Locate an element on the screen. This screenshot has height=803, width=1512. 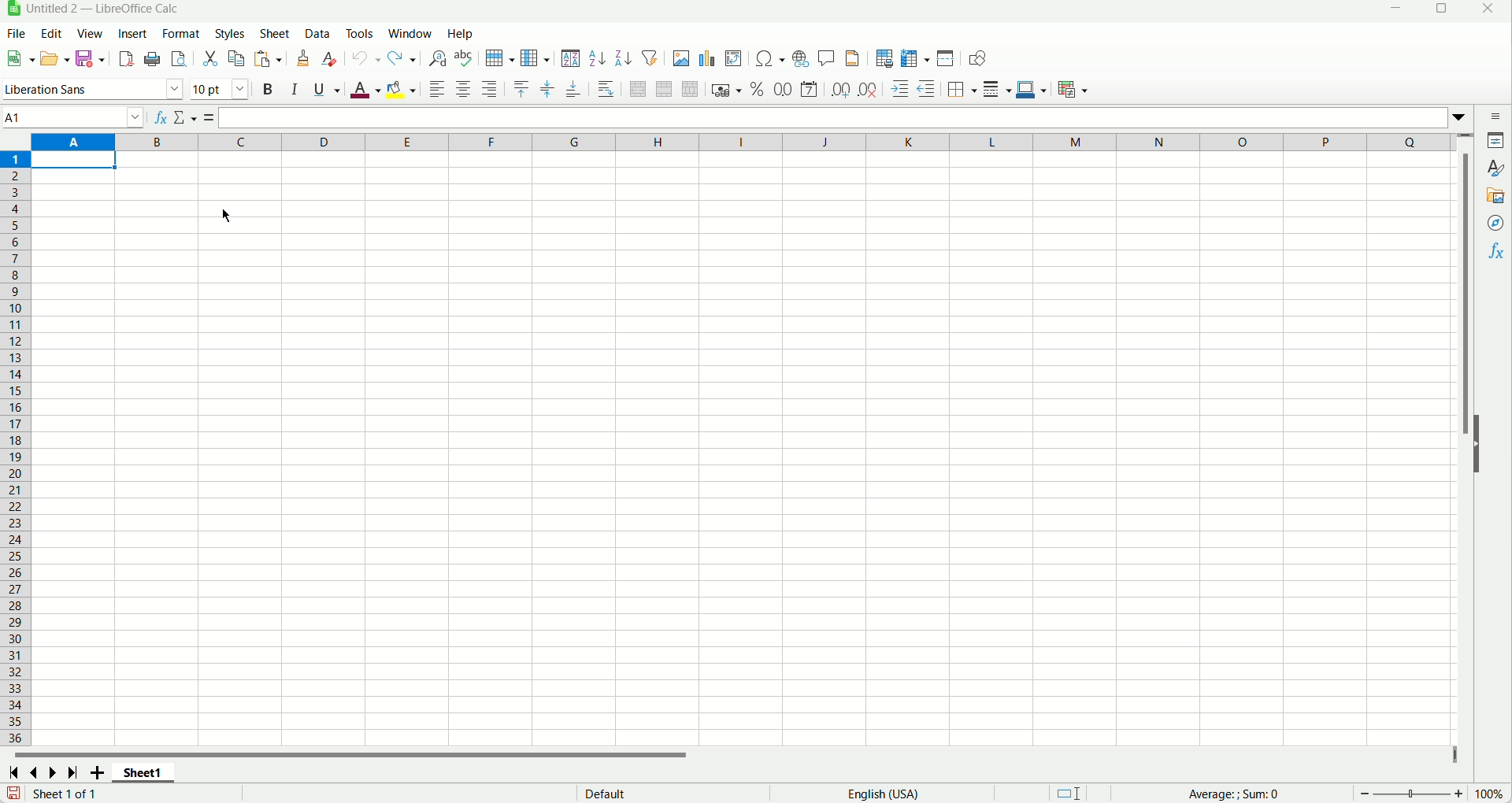
Text language is located at coordinates (883, 793).